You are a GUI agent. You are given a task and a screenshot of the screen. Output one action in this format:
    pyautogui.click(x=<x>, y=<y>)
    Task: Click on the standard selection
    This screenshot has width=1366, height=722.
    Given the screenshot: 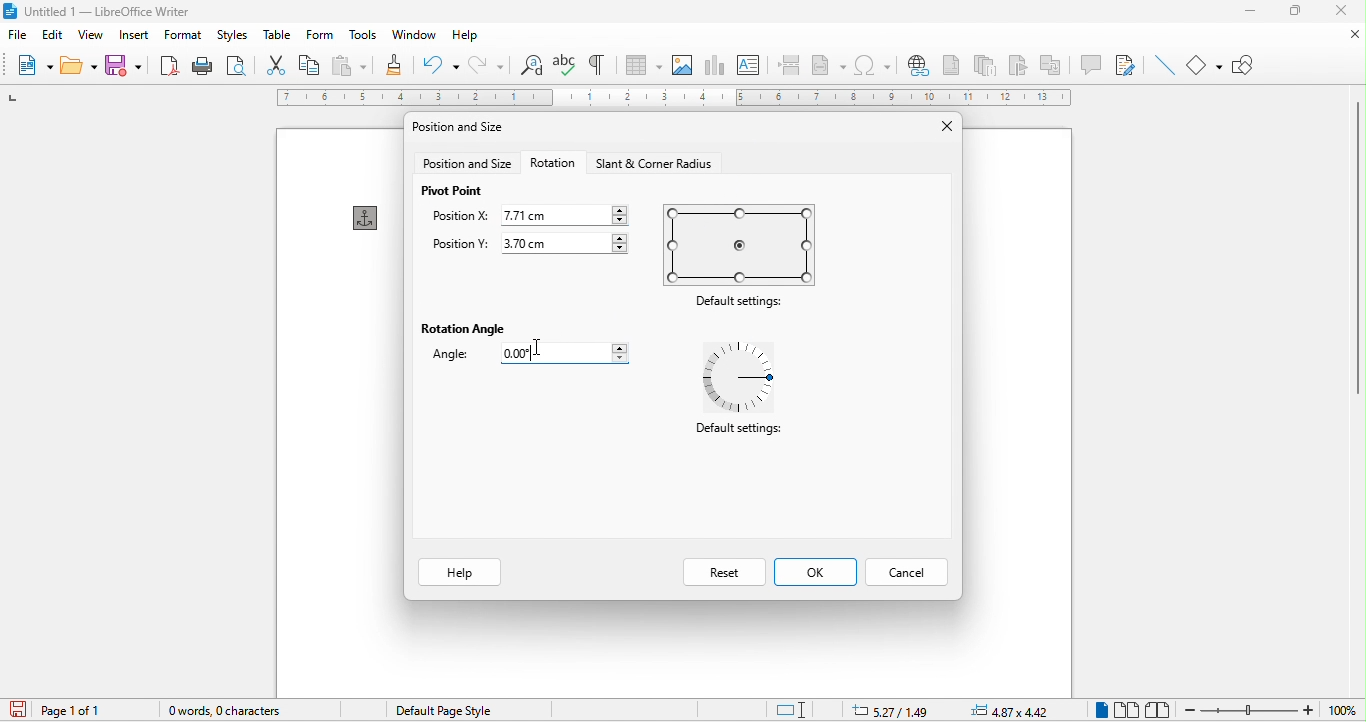 What is the action you would take?
    pyautogui.click(x=803, y=708)
    